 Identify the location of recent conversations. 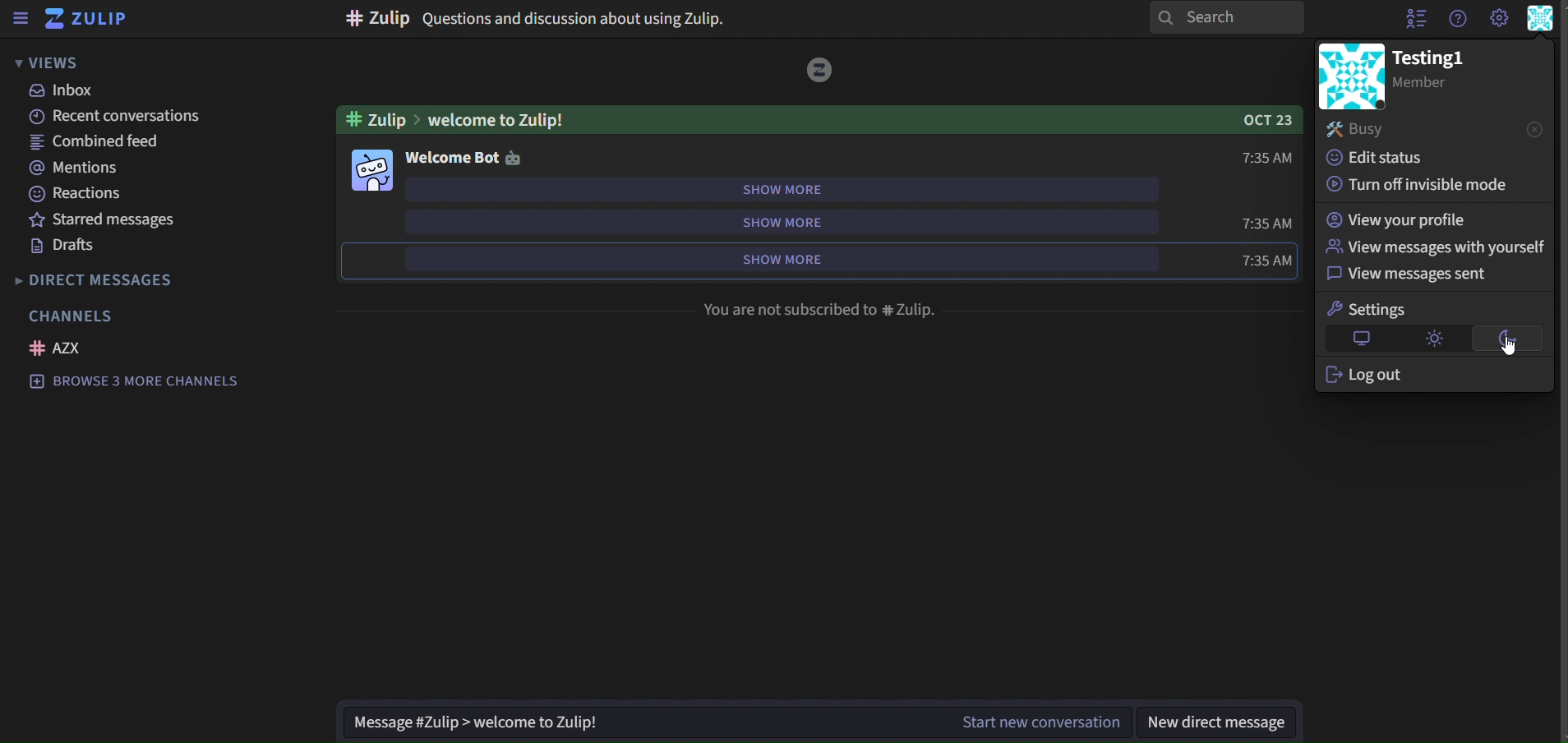
(109, 116).